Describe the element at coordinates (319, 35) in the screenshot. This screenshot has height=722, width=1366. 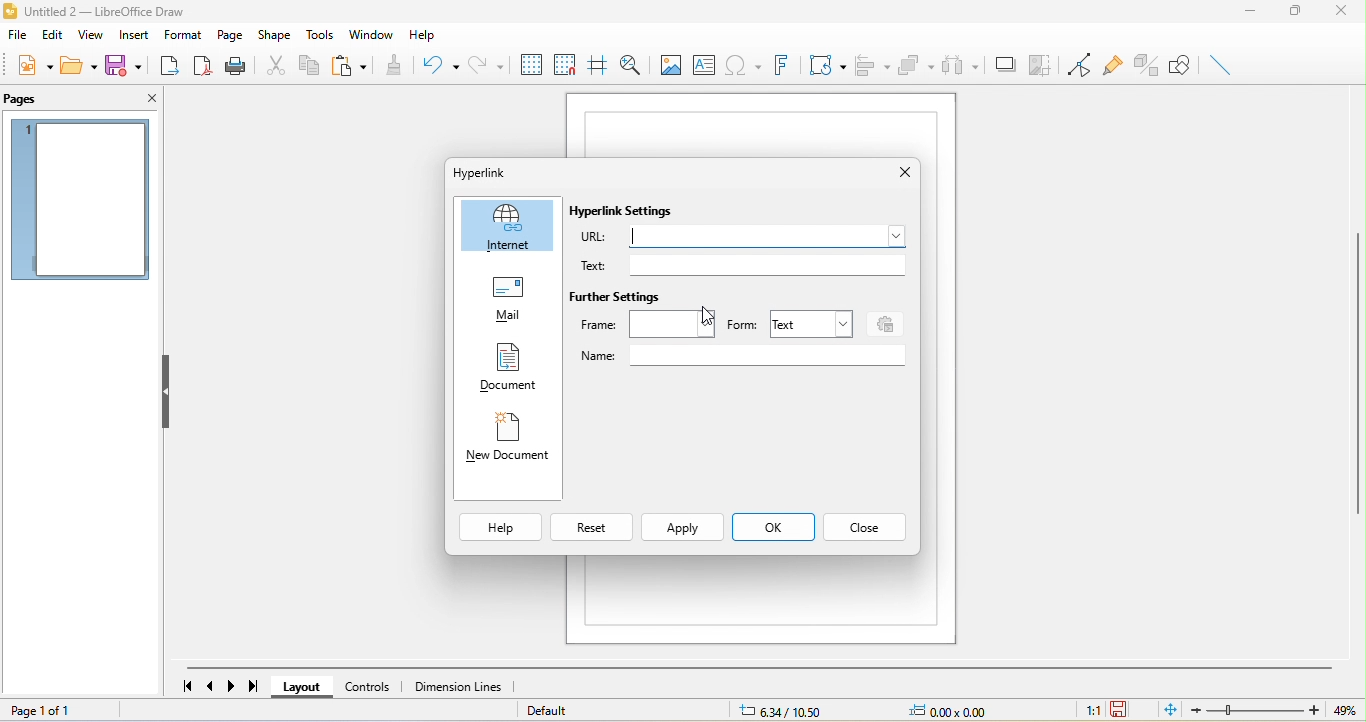
I see `tools` at that location.